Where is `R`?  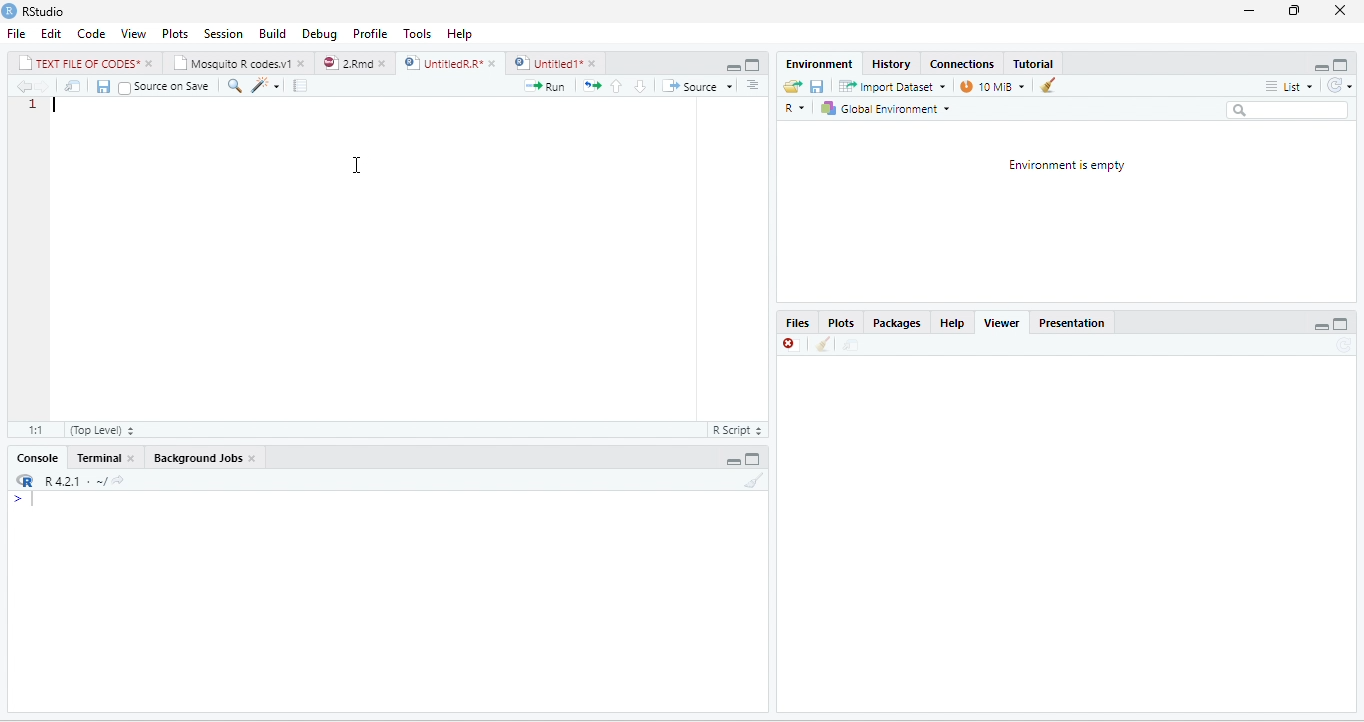
R is located at coordinates (798, 108).